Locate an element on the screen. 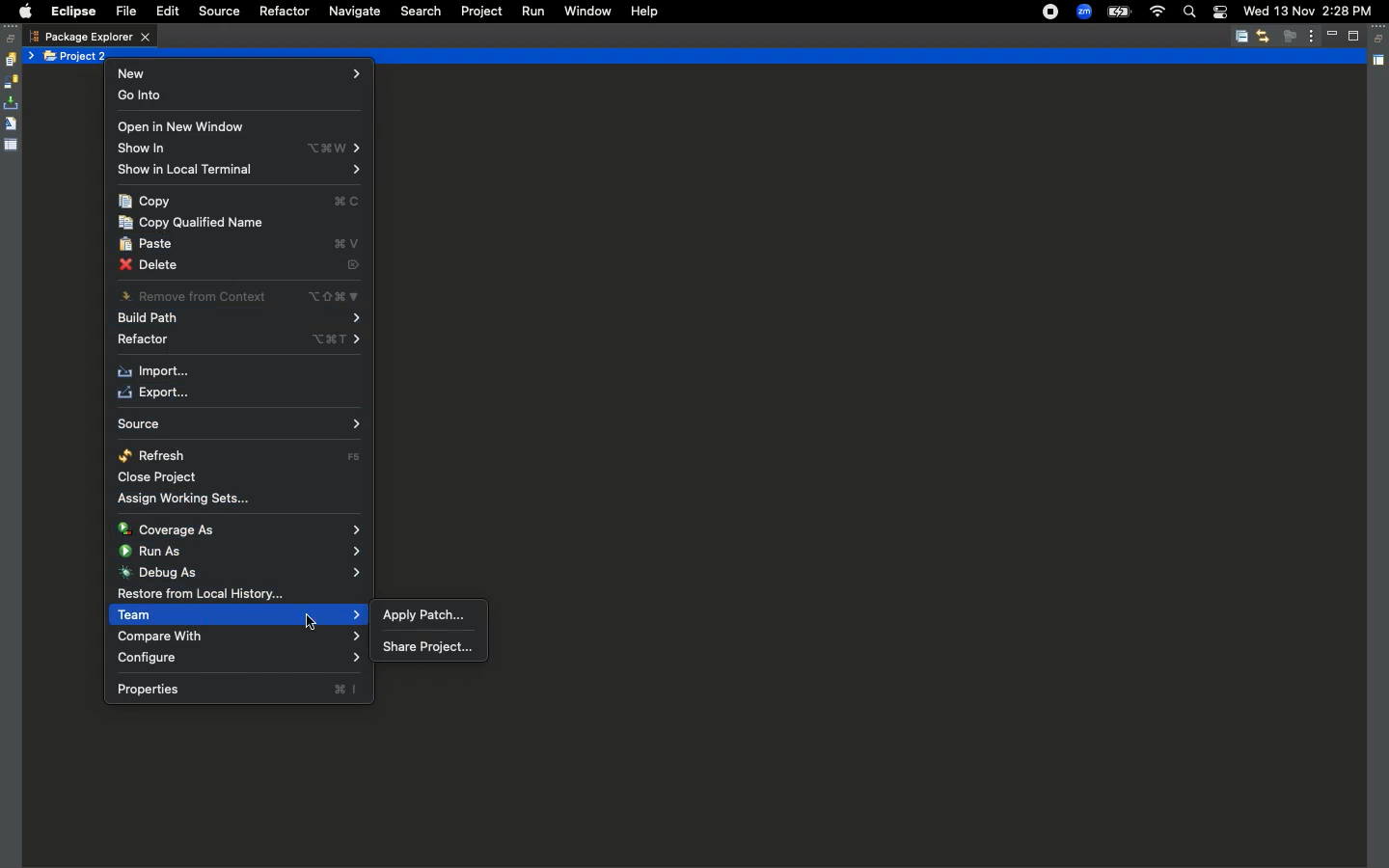  Edit is located at coordinates (164, 12).